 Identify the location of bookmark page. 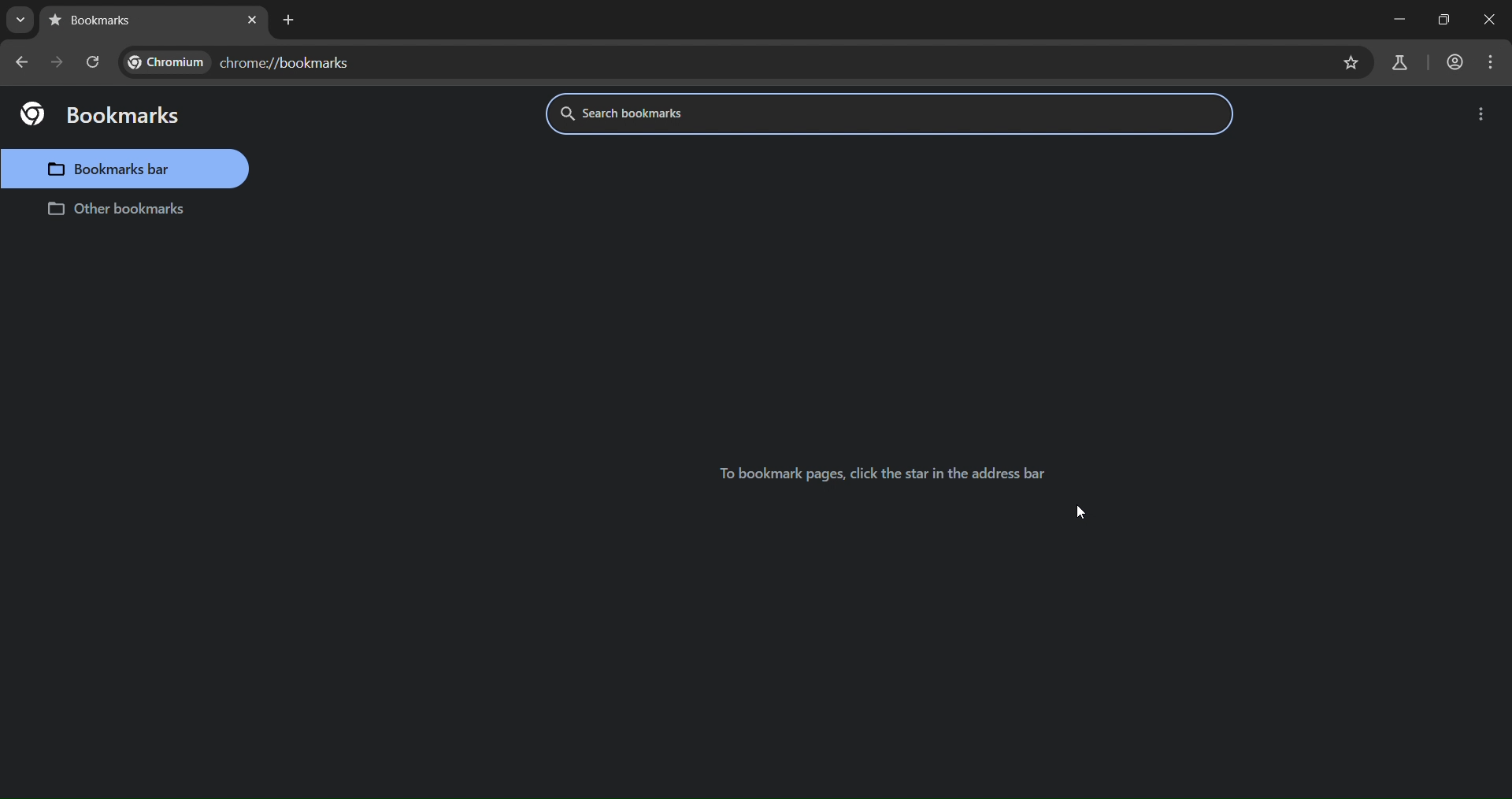
(1353, 64).